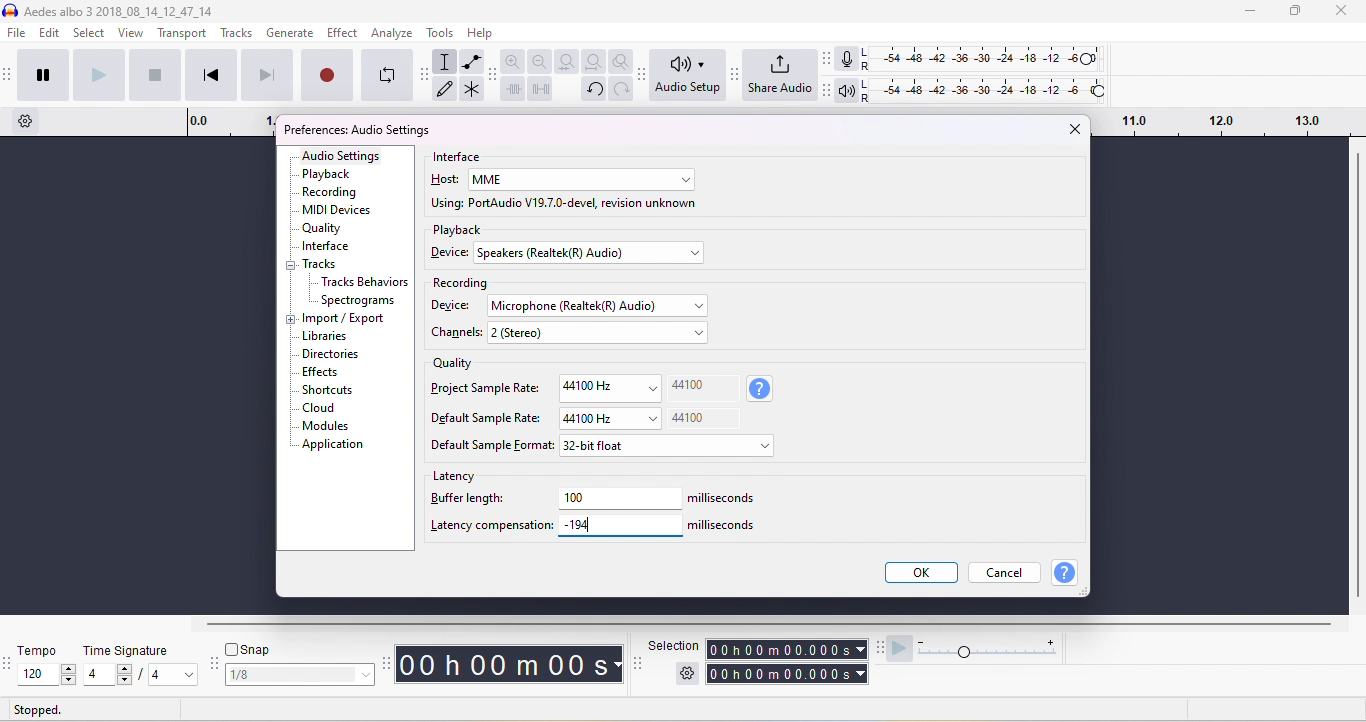 The height and width of the screenshot is (722, 1366). I want to click on transport, so click(183, 34).